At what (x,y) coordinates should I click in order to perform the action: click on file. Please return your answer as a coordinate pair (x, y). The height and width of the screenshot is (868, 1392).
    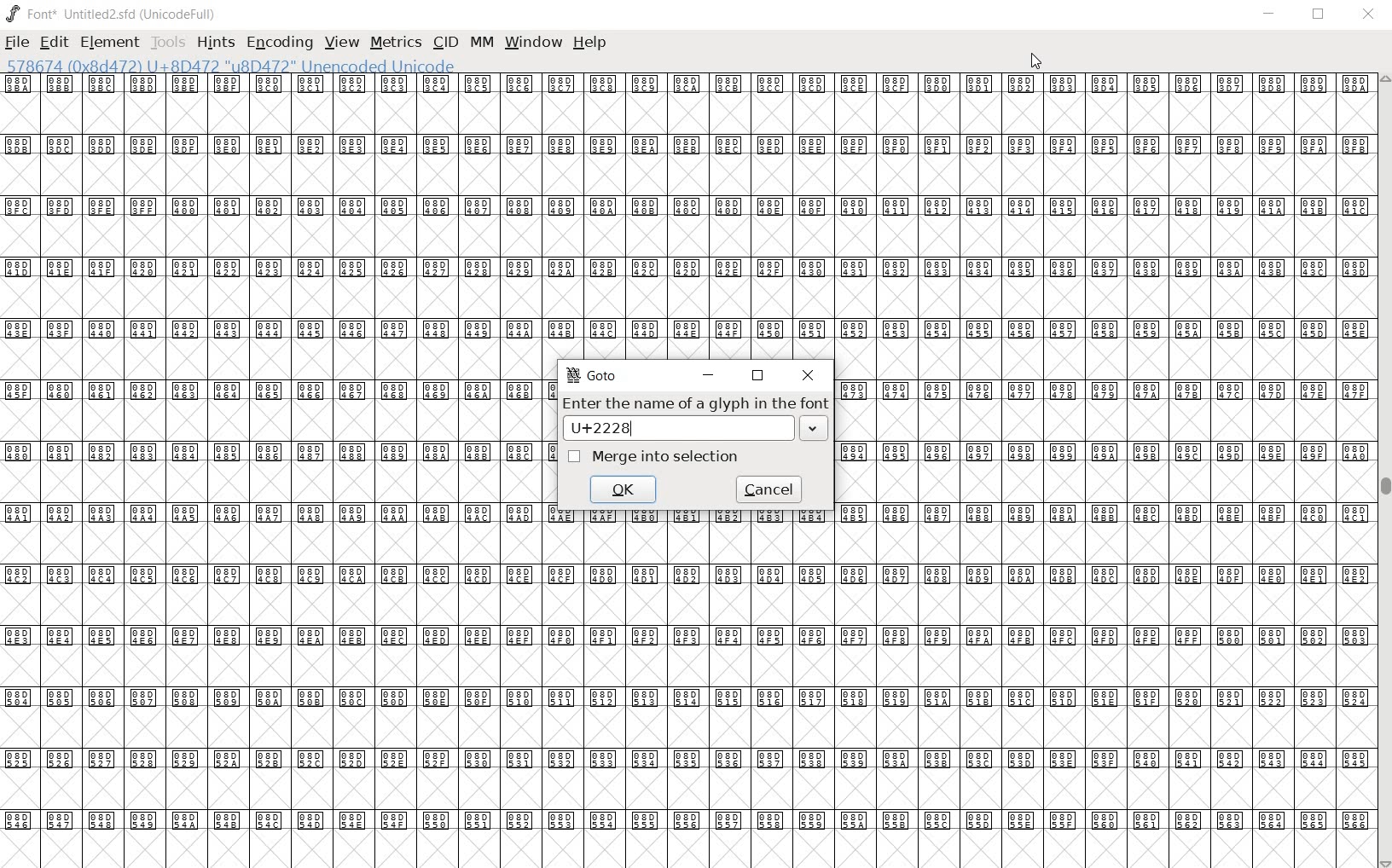
    Looking at the image, I should click on (18, 42).